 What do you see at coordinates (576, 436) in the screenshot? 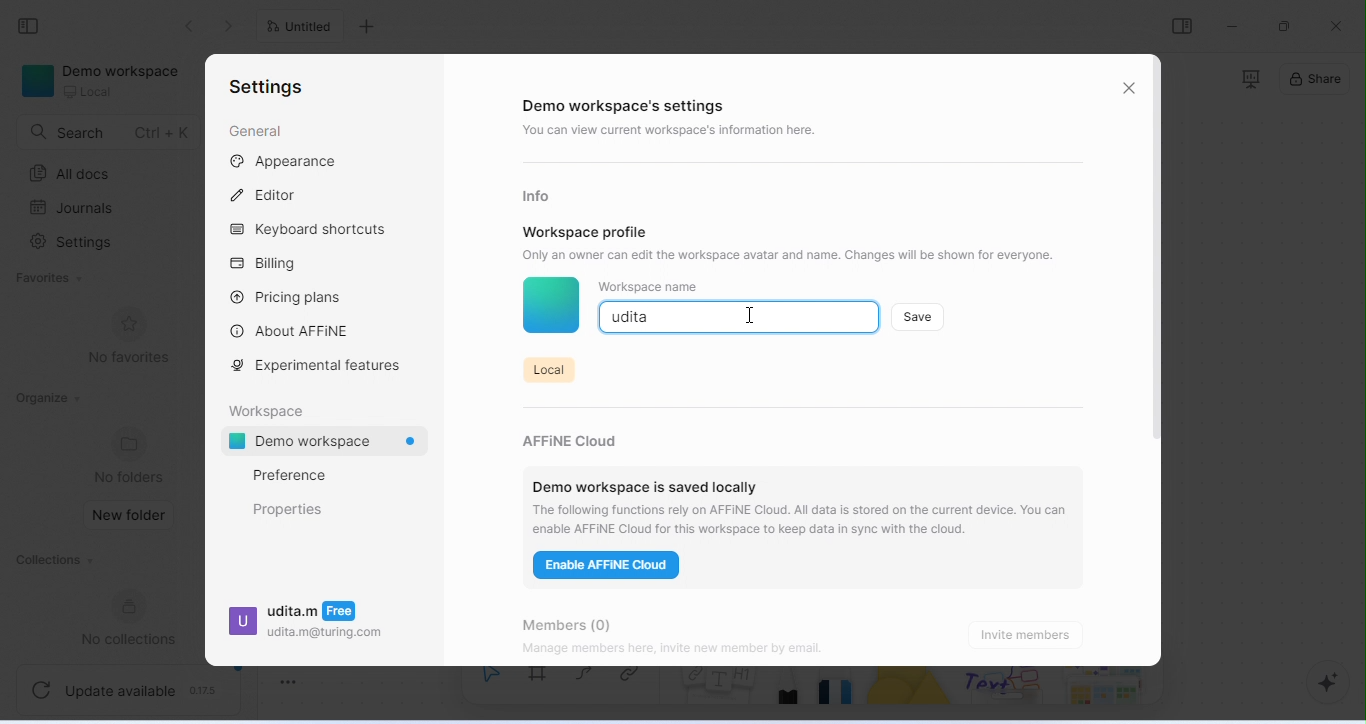
I see `affine cloud` at bounding box center [576, 436].